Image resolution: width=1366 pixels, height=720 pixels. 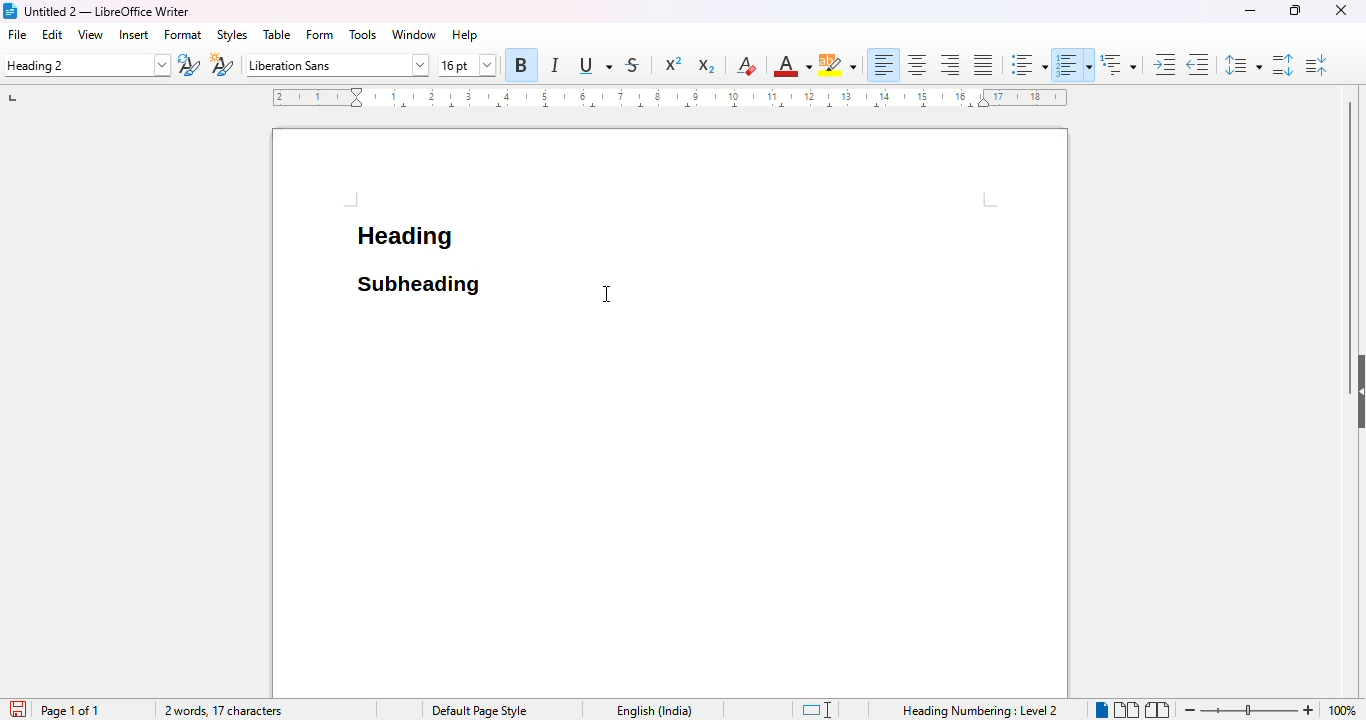 What do you see at coordinates (607, 294) in the screenshot?
I see `cursor` at bounding box center [607, 294].